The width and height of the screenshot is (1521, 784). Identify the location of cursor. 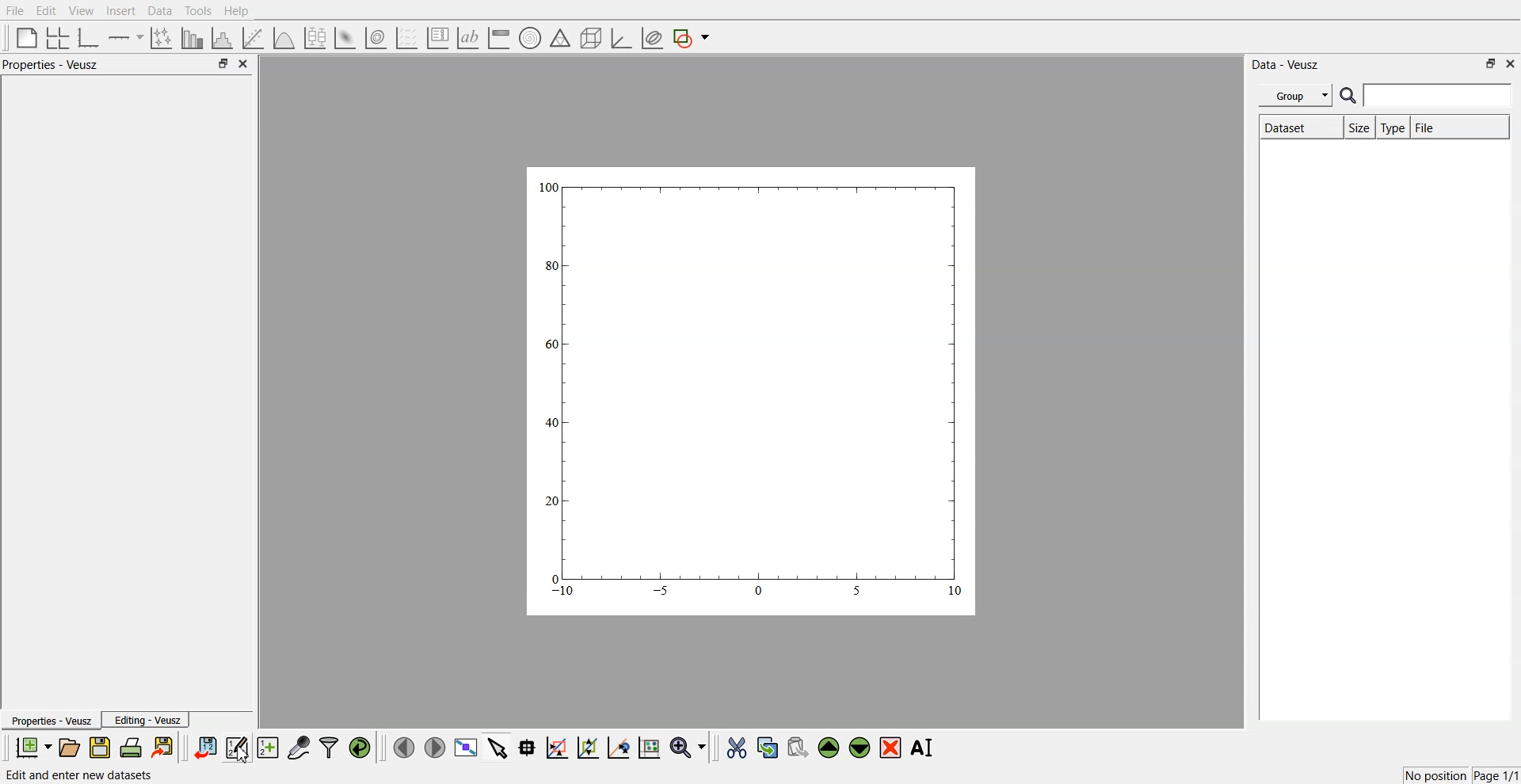
(244, 759).